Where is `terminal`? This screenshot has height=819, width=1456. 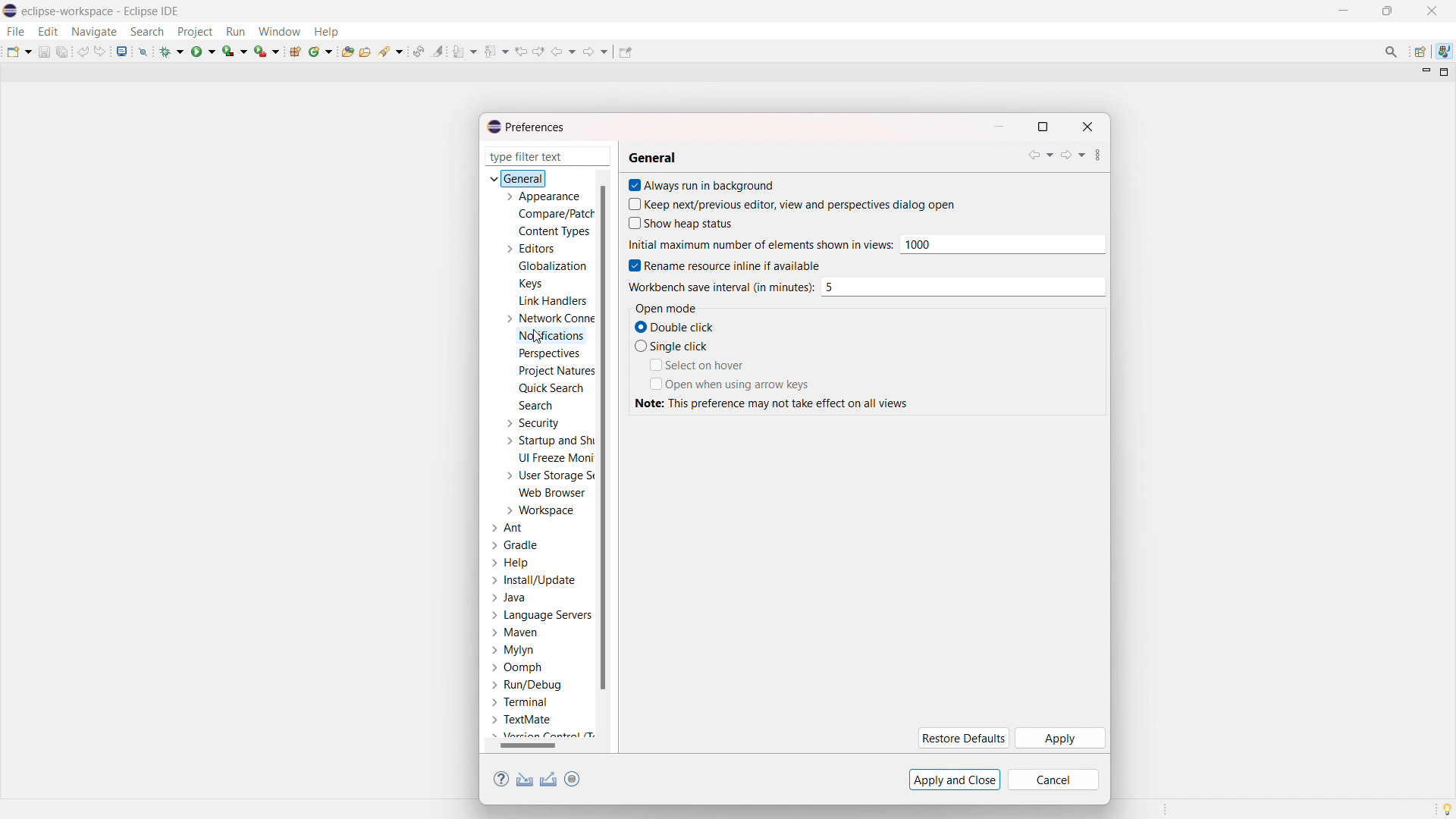
terminal is located at coordinates (521, 703).